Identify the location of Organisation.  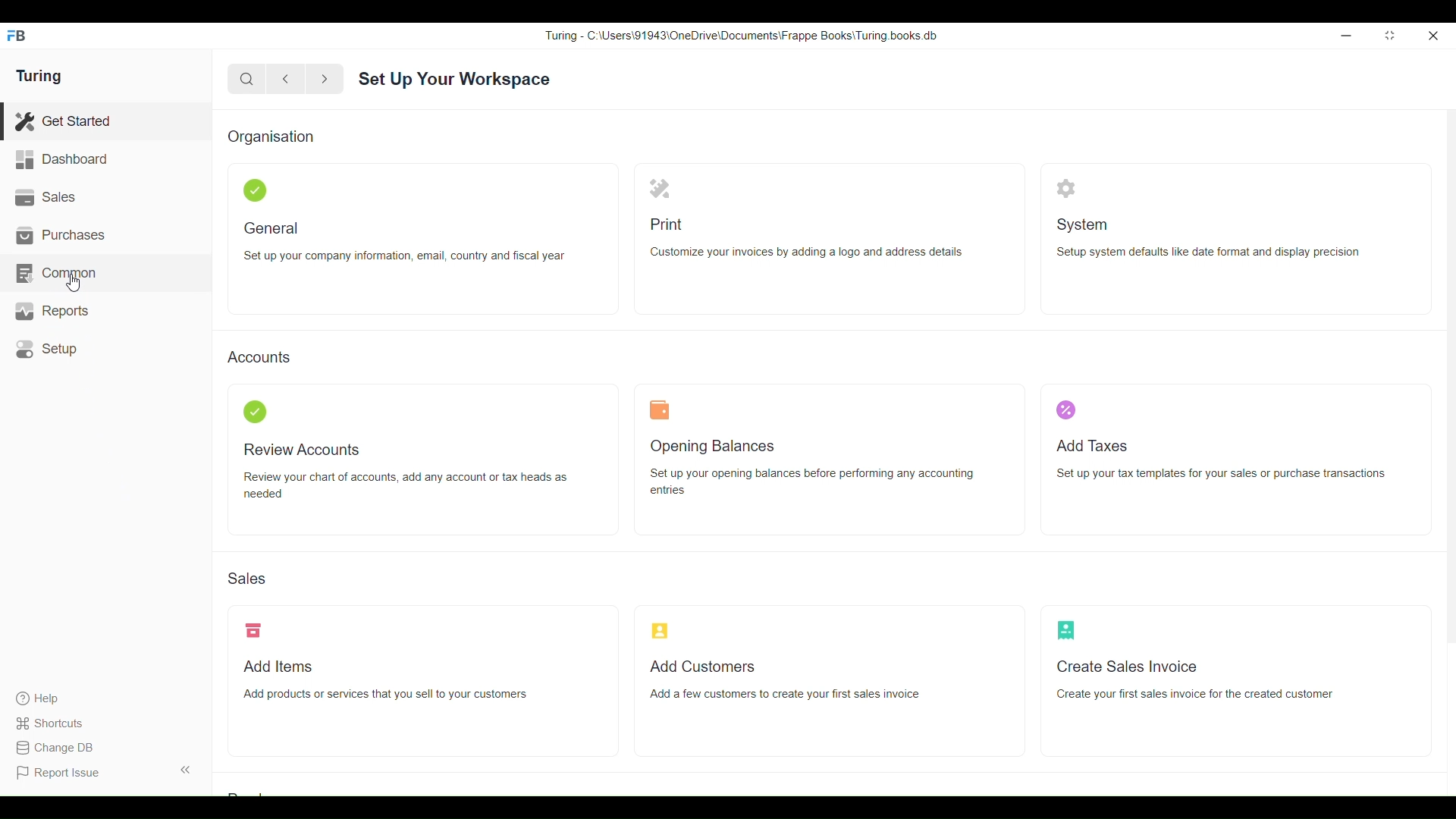
(271, 136).